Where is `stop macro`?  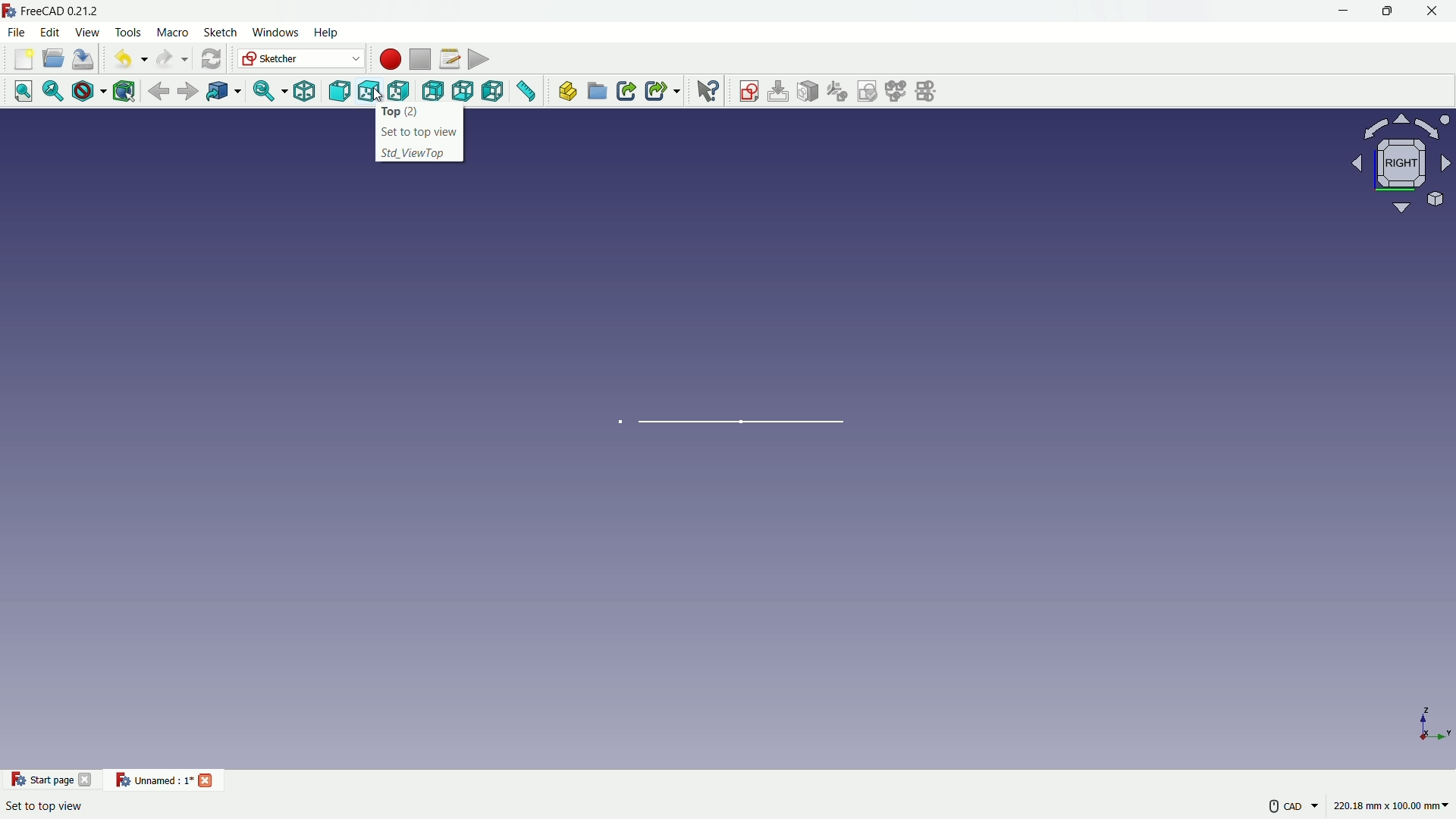
stop macro is located at coordinates (419, 58).